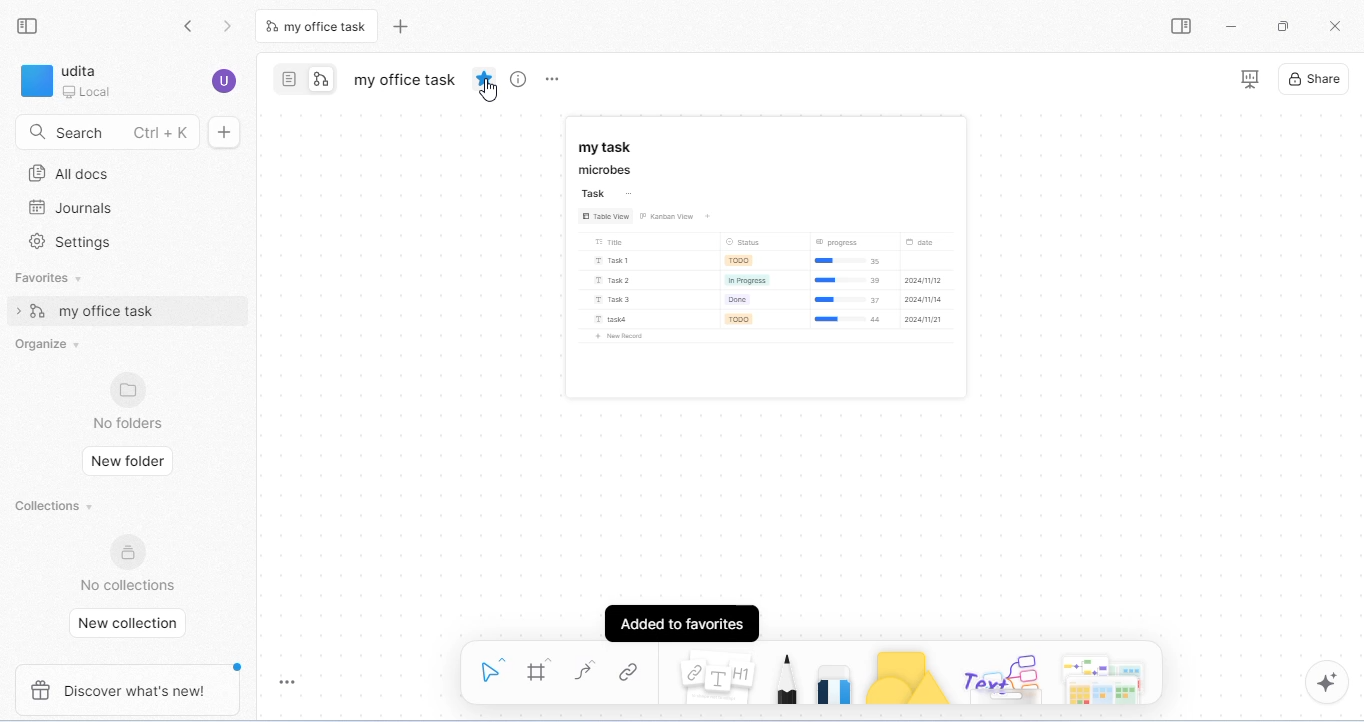 Image resolution: width=1364 pixels, height=722 pixels. Describe the element at coordinates (288, 79) in the screenshot. I see `page mode` at that location.